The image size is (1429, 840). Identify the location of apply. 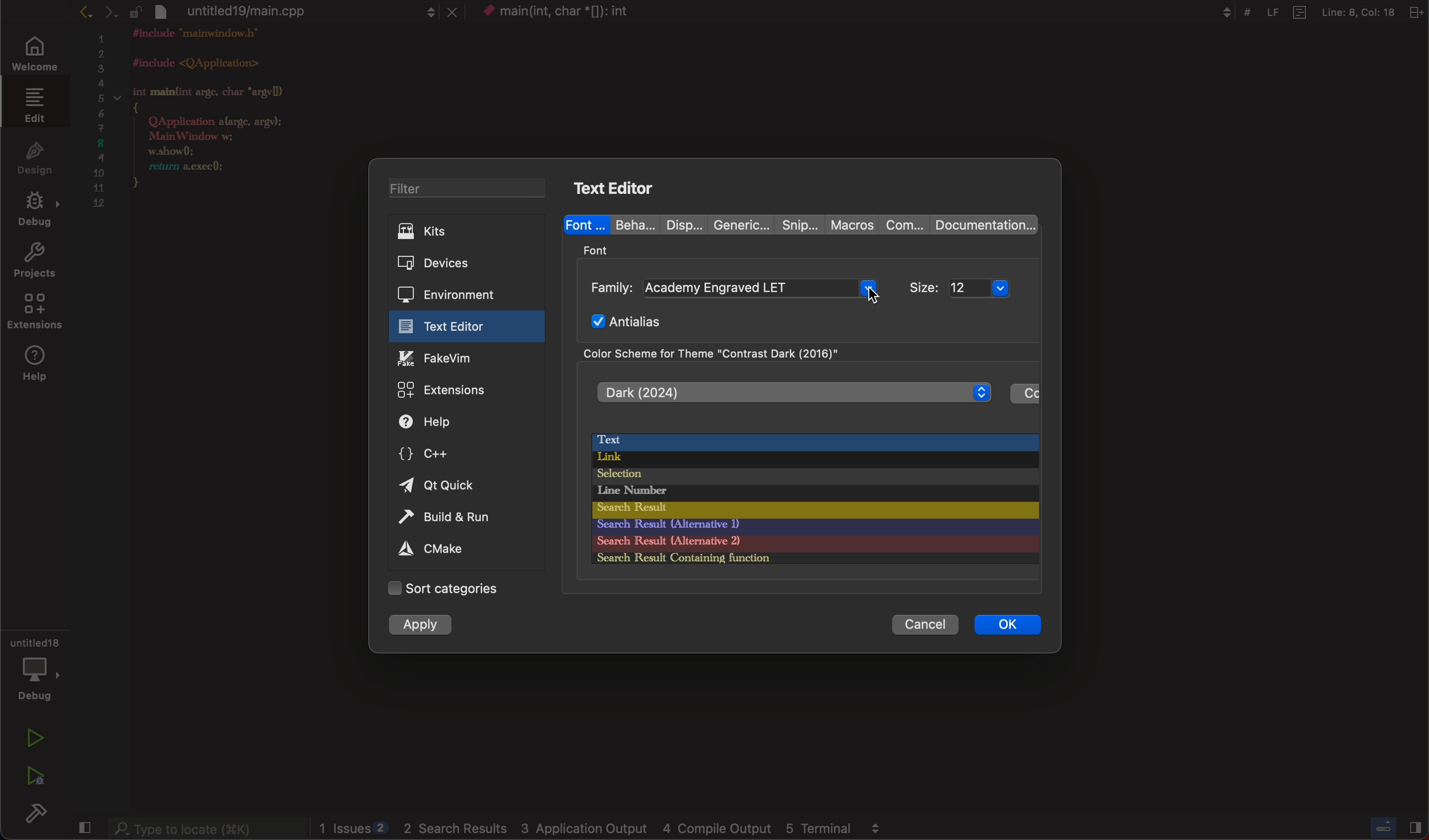
(420, 625).